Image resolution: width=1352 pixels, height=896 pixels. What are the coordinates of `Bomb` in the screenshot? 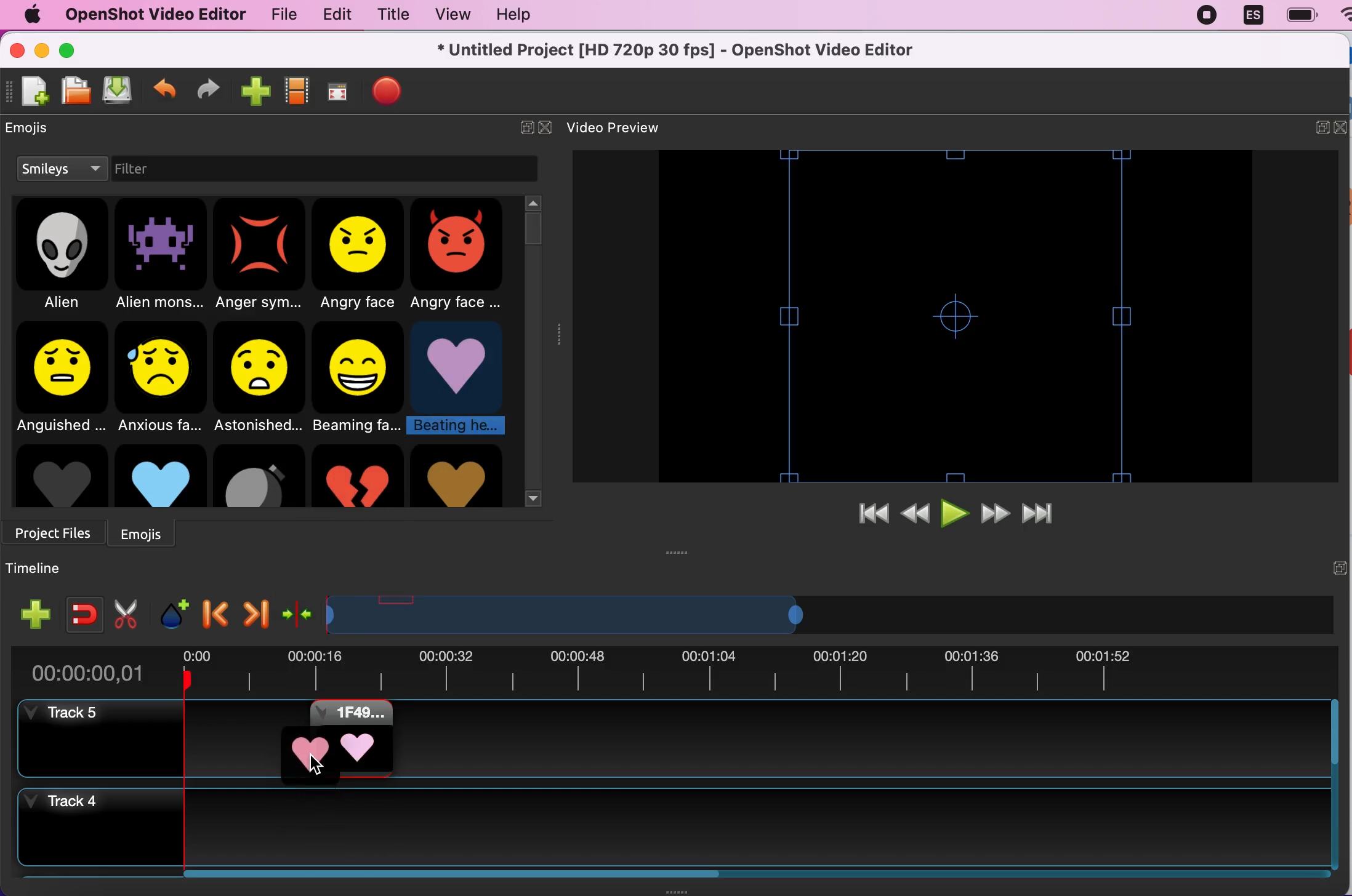 It's located at (259, 476).